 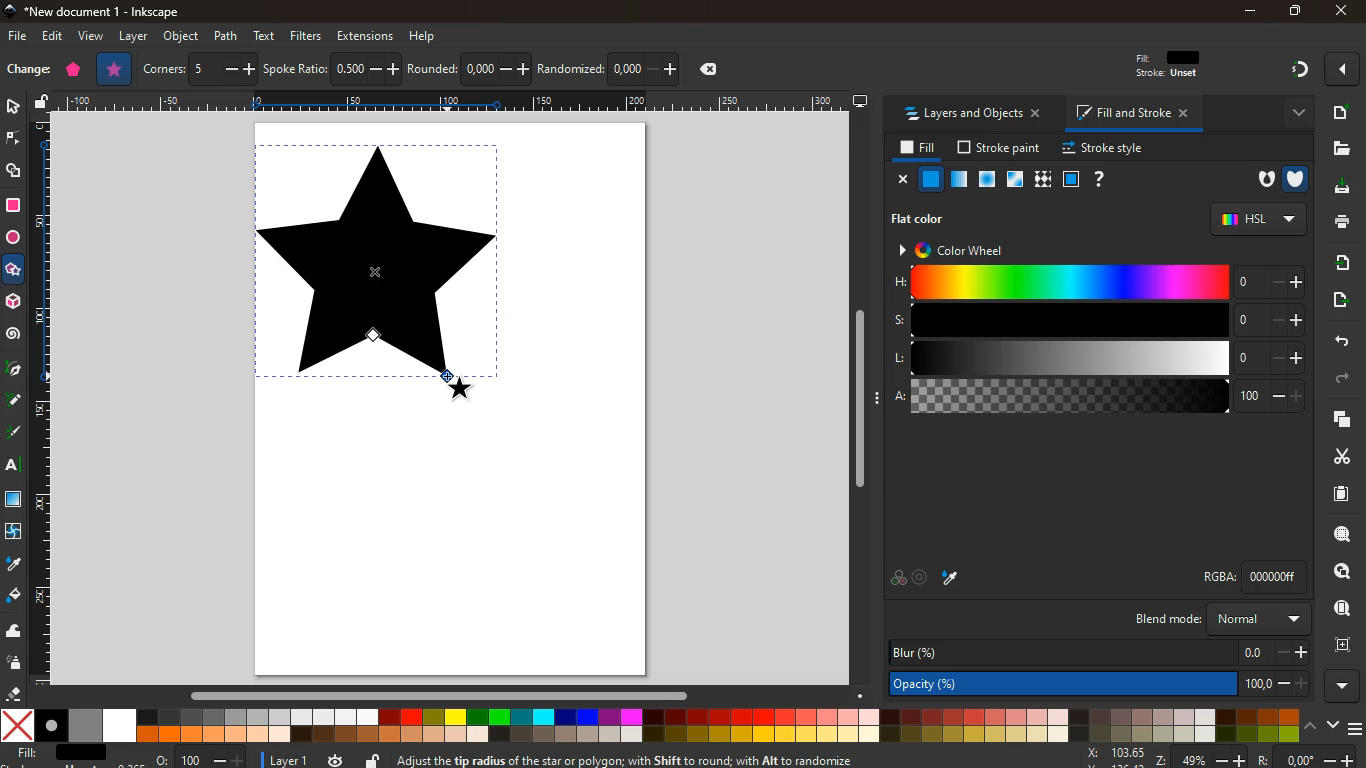 What do you see at coordinates (331, 68) in the screenshot?
I see `spoke ratio` at bounding box center [331, 68].